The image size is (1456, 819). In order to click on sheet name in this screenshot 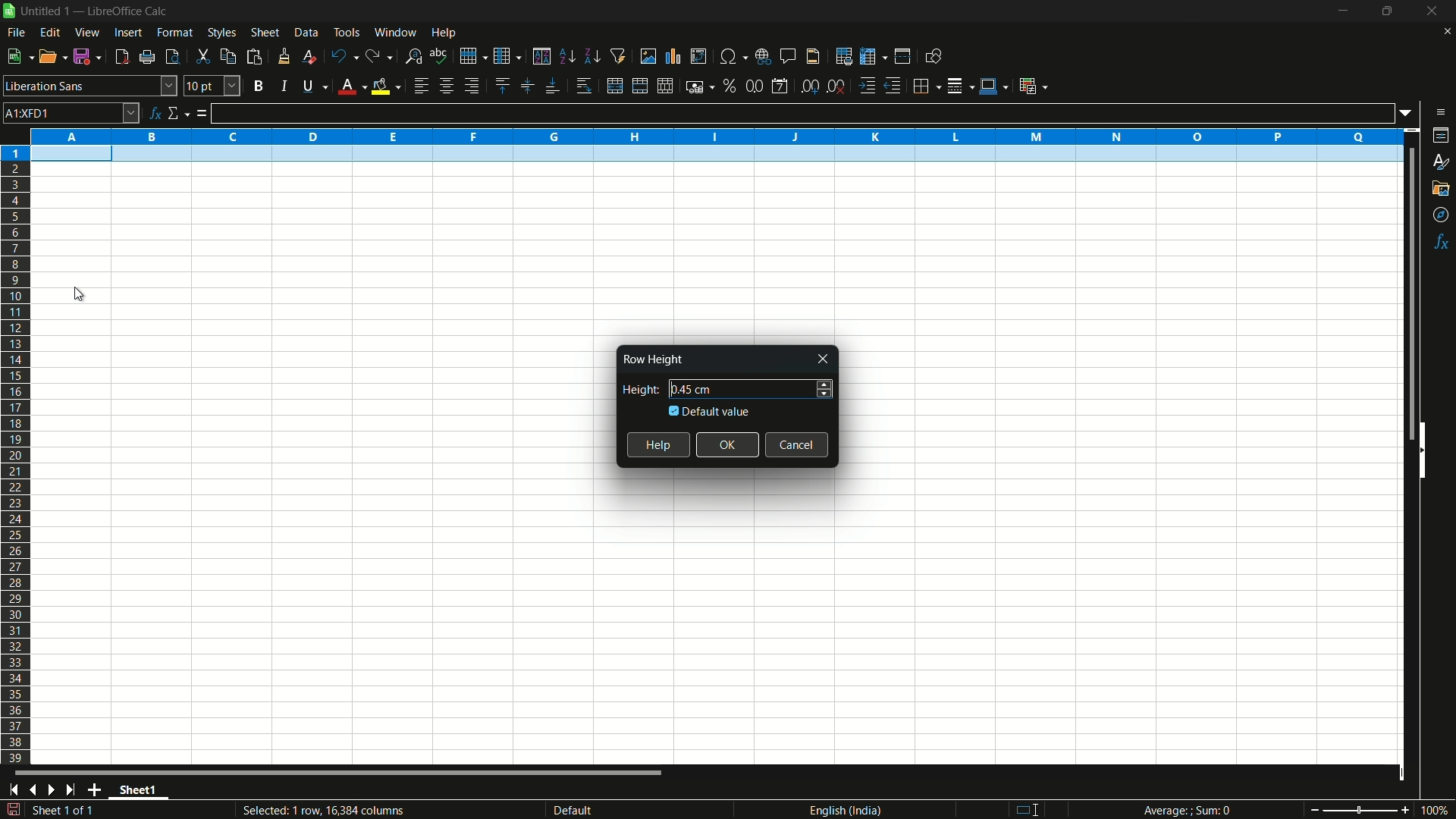, I will do `click(143, 792)`.